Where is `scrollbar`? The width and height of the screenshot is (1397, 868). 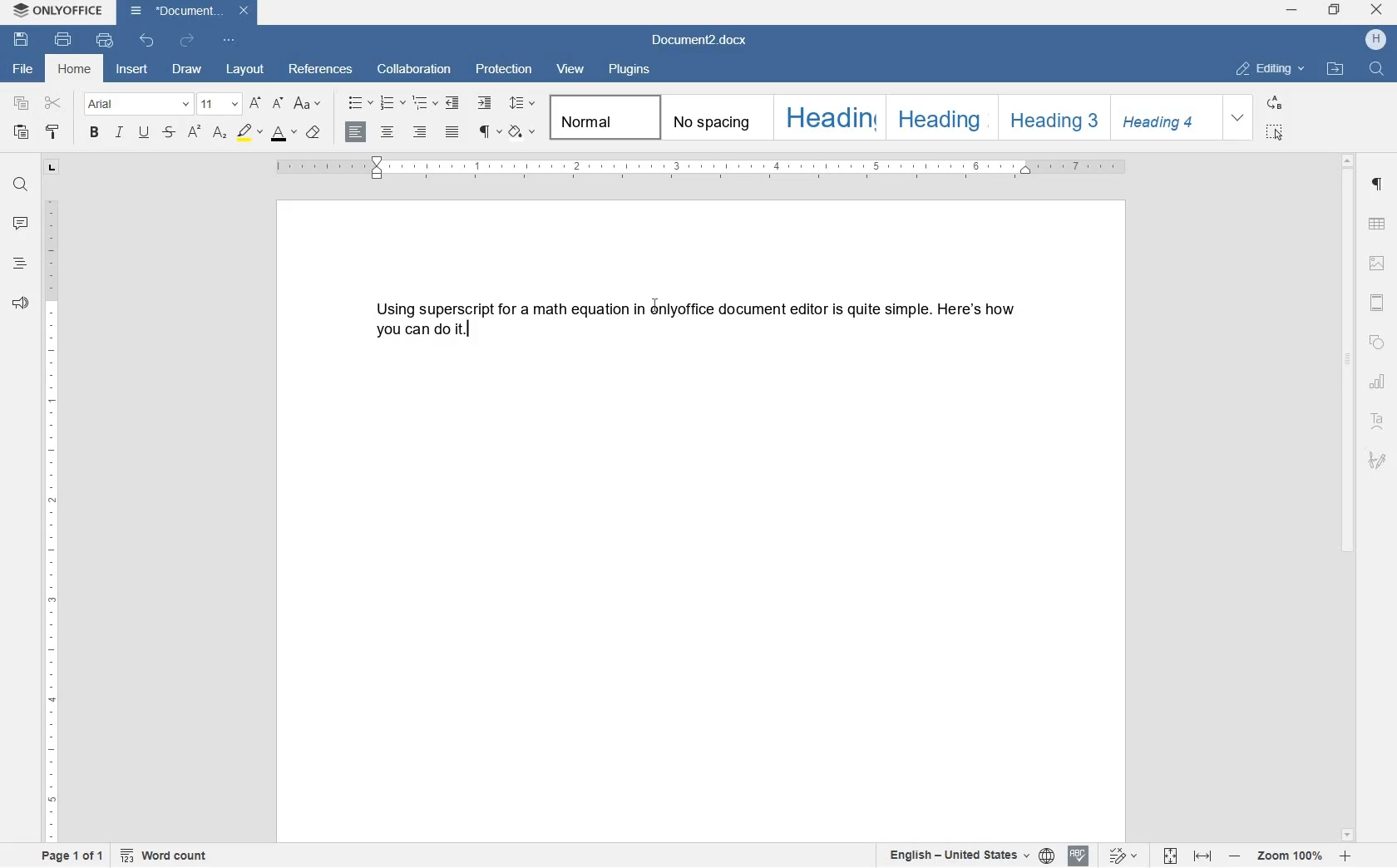
scrollbar is located at coordinates (1350, 497).